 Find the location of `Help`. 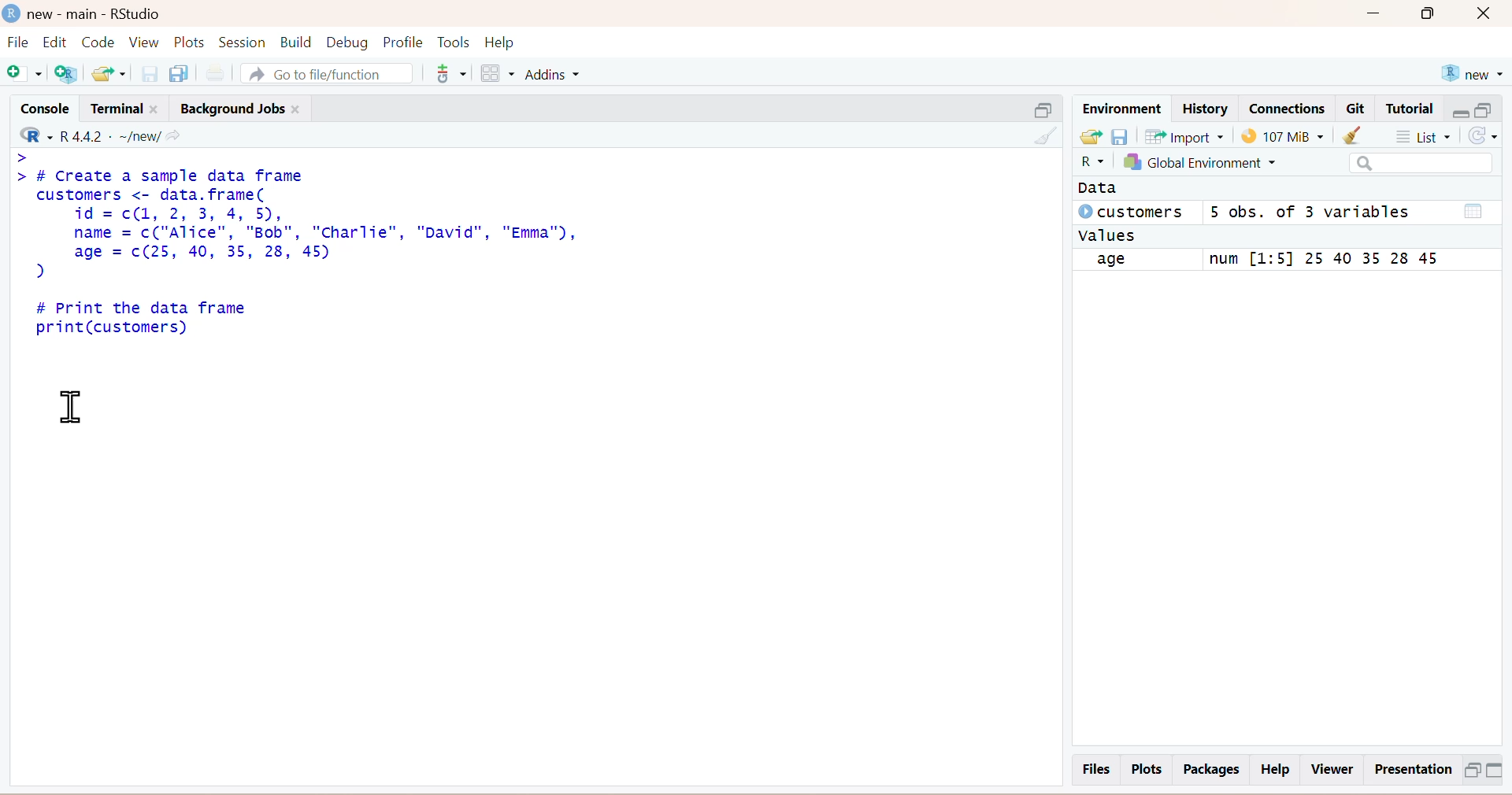

Help is located at coordinates (513, 42).